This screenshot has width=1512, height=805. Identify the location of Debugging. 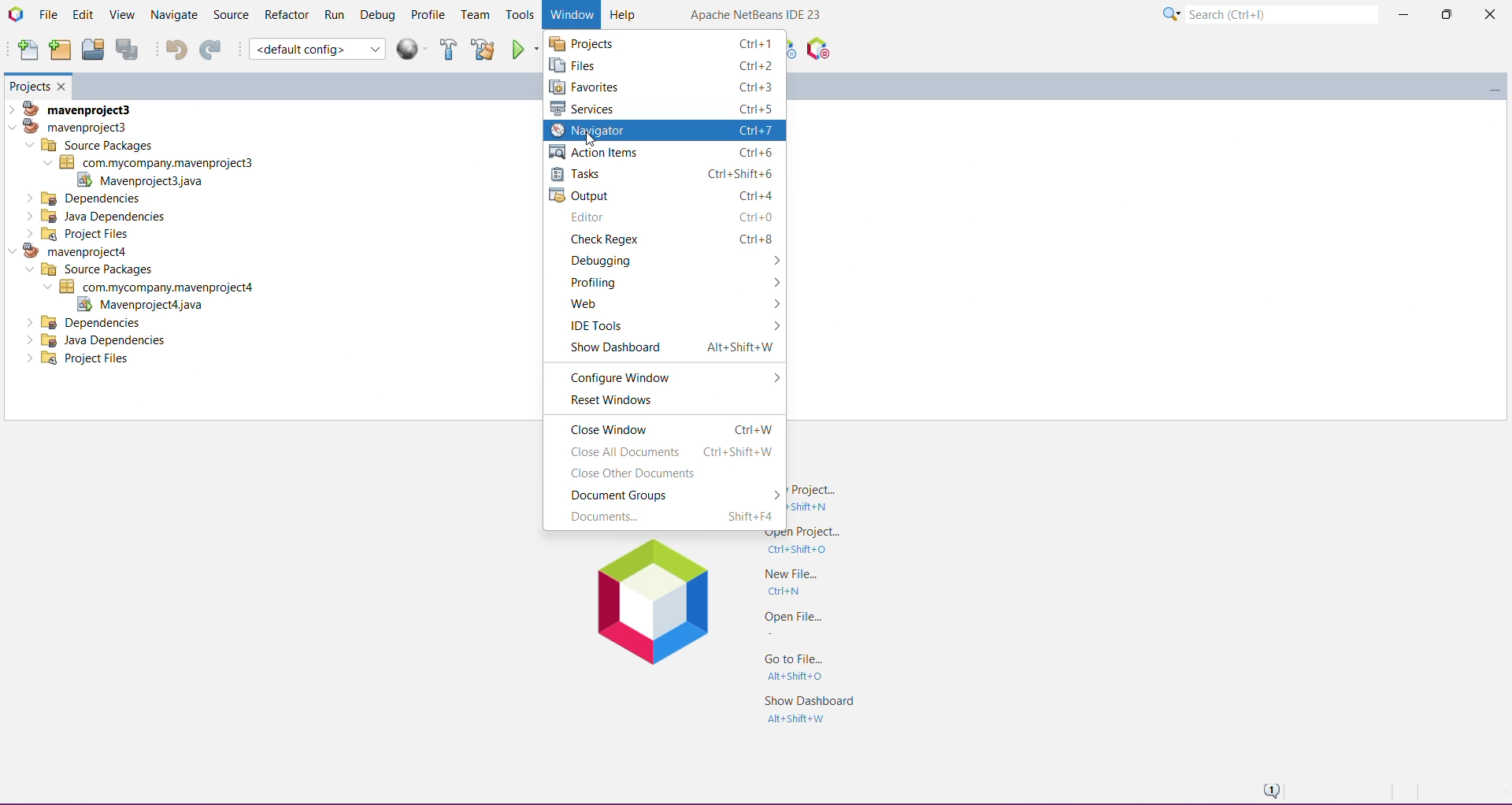
(666, 260).